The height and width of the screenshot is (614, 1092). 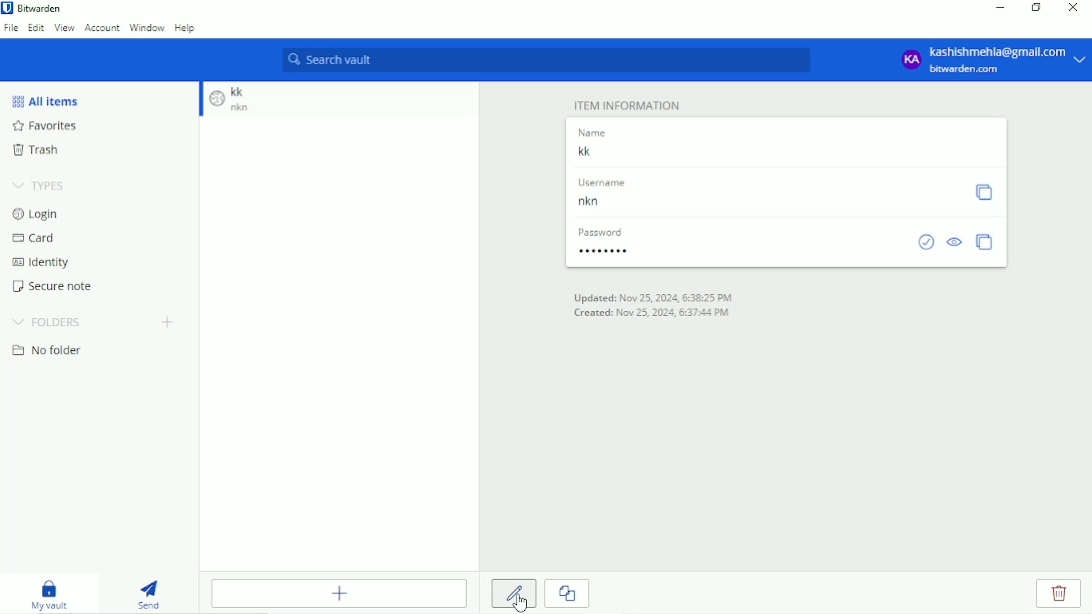 I want to click on Edit, so click(x=36, y=27).